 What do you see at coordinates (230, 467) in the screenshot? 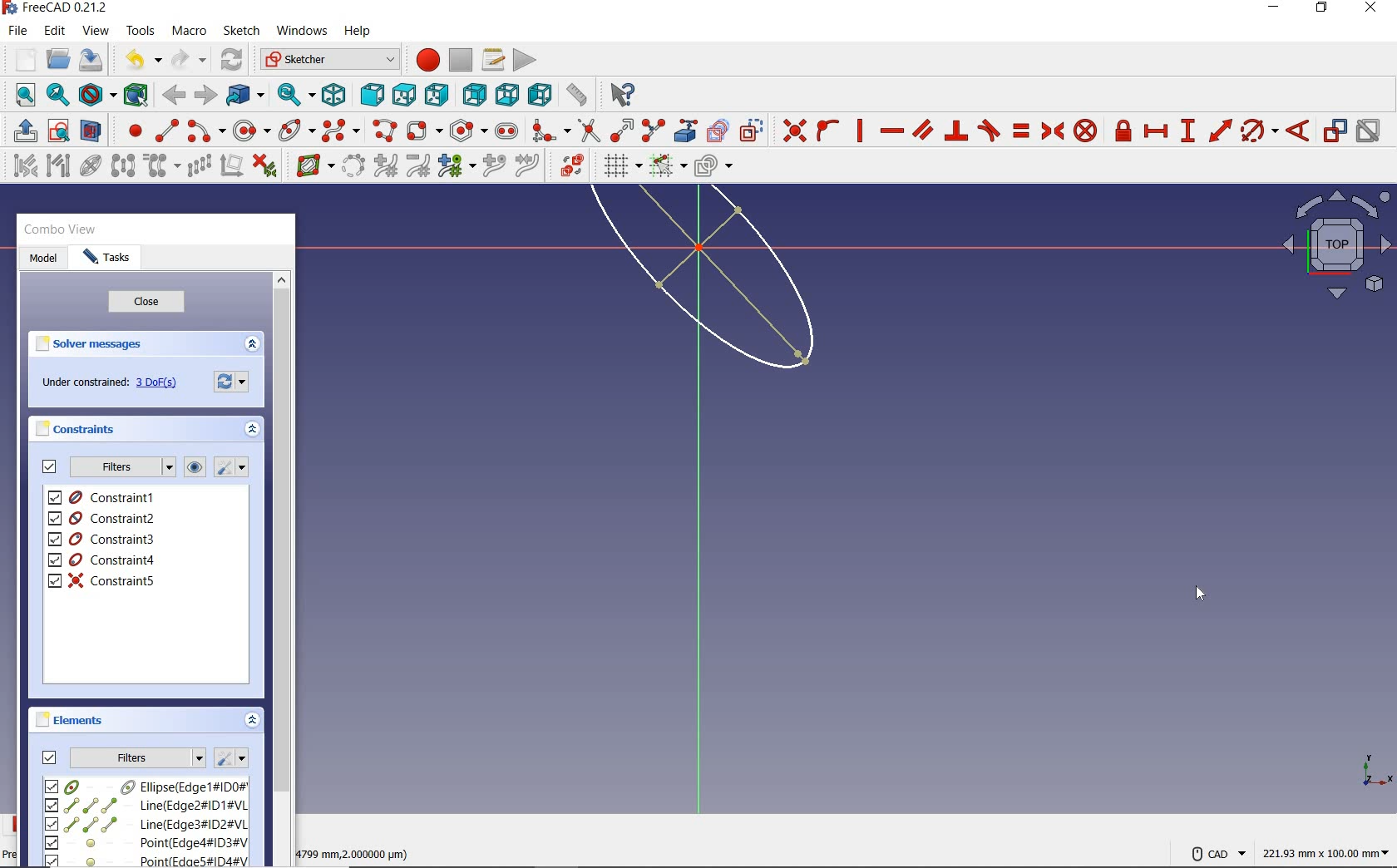
I see `settings` at bounding box center [230, 467].